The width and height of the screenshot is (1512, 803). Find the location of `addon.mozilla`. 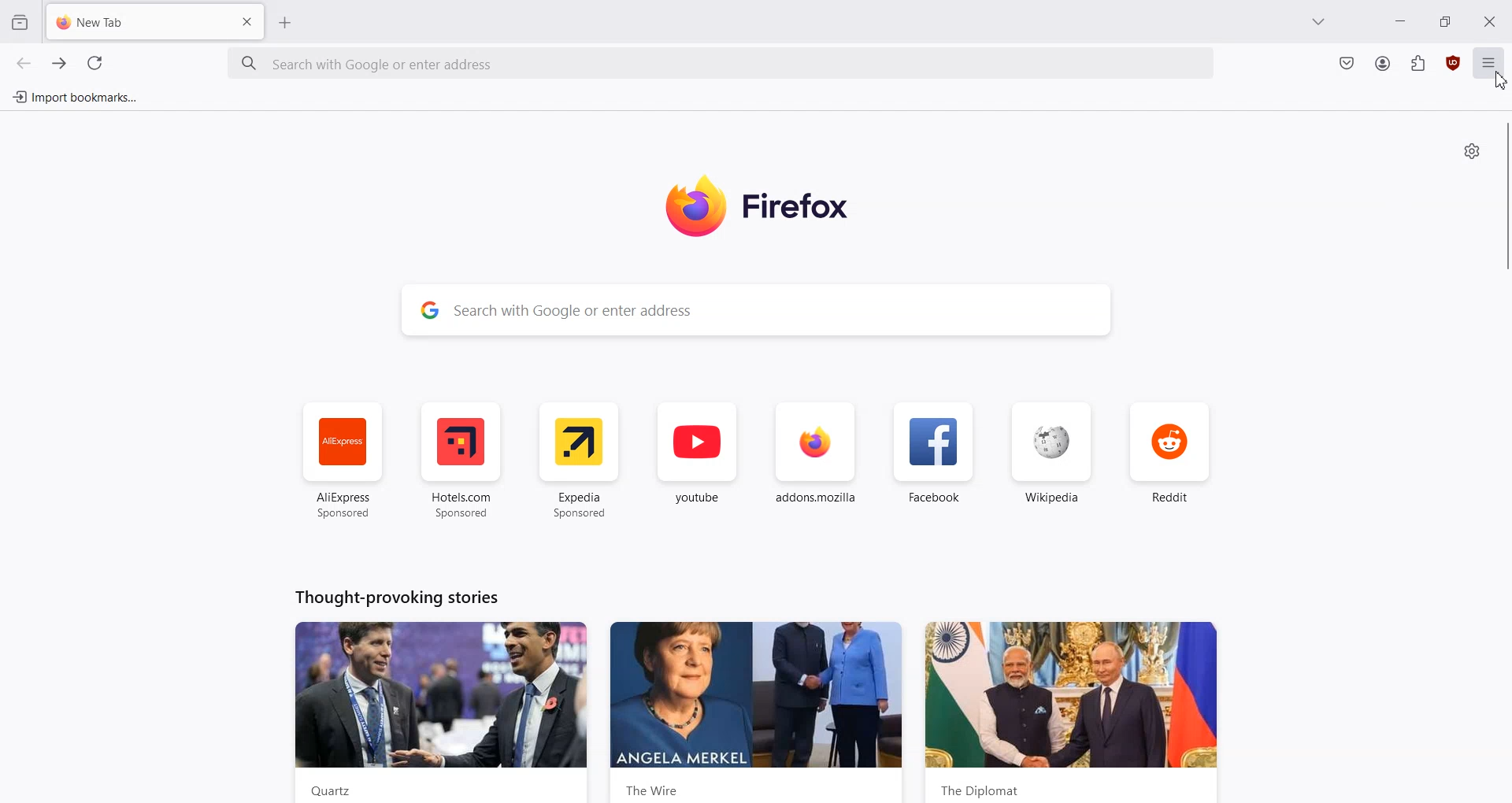

addon.mozilla is located at coordinates (816, 461).